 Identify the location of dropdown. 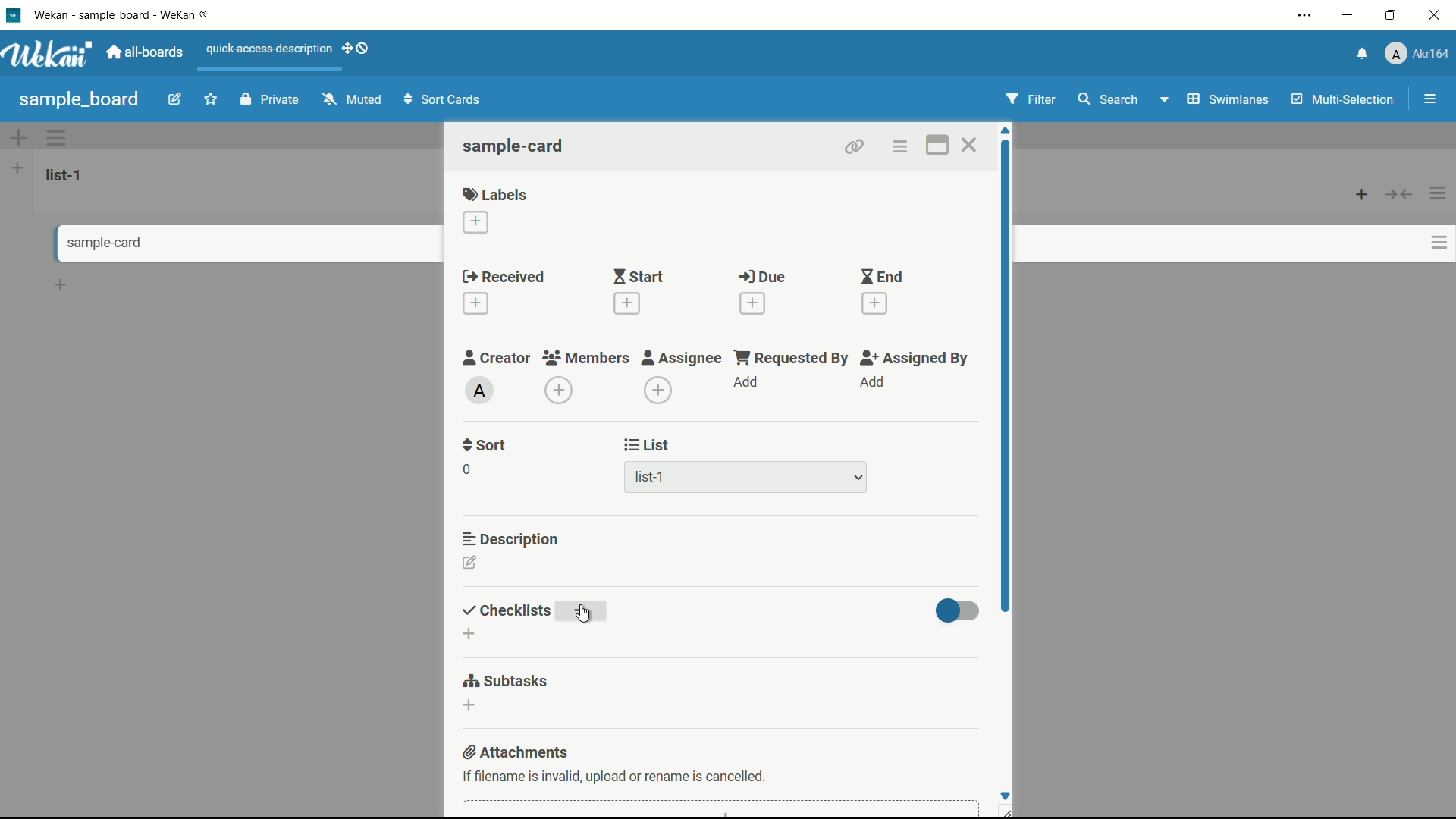
(1163, 102).